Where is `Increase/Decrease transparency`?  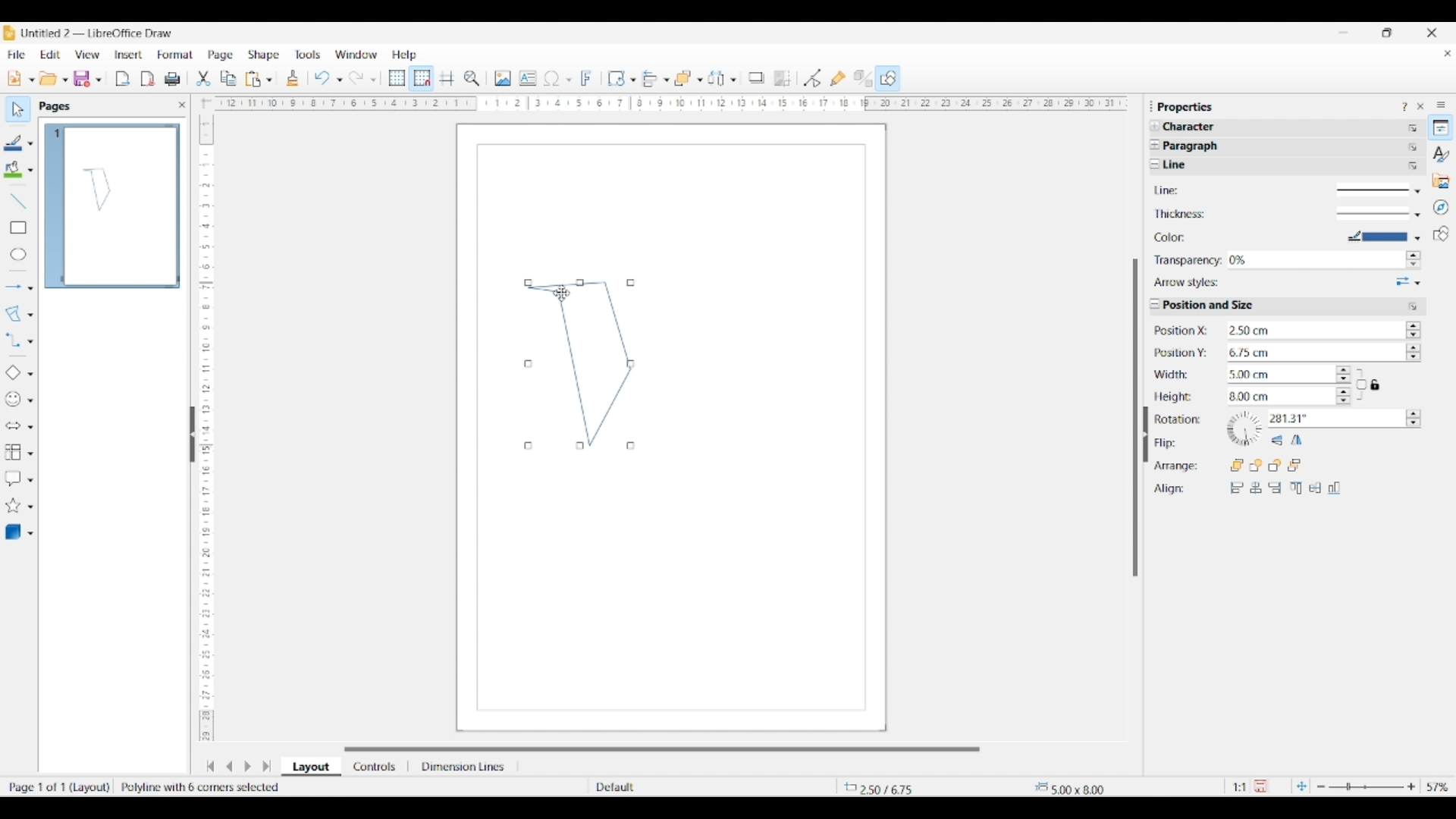 Increase/Decrease transparency is located at coordinates (1413, 260).